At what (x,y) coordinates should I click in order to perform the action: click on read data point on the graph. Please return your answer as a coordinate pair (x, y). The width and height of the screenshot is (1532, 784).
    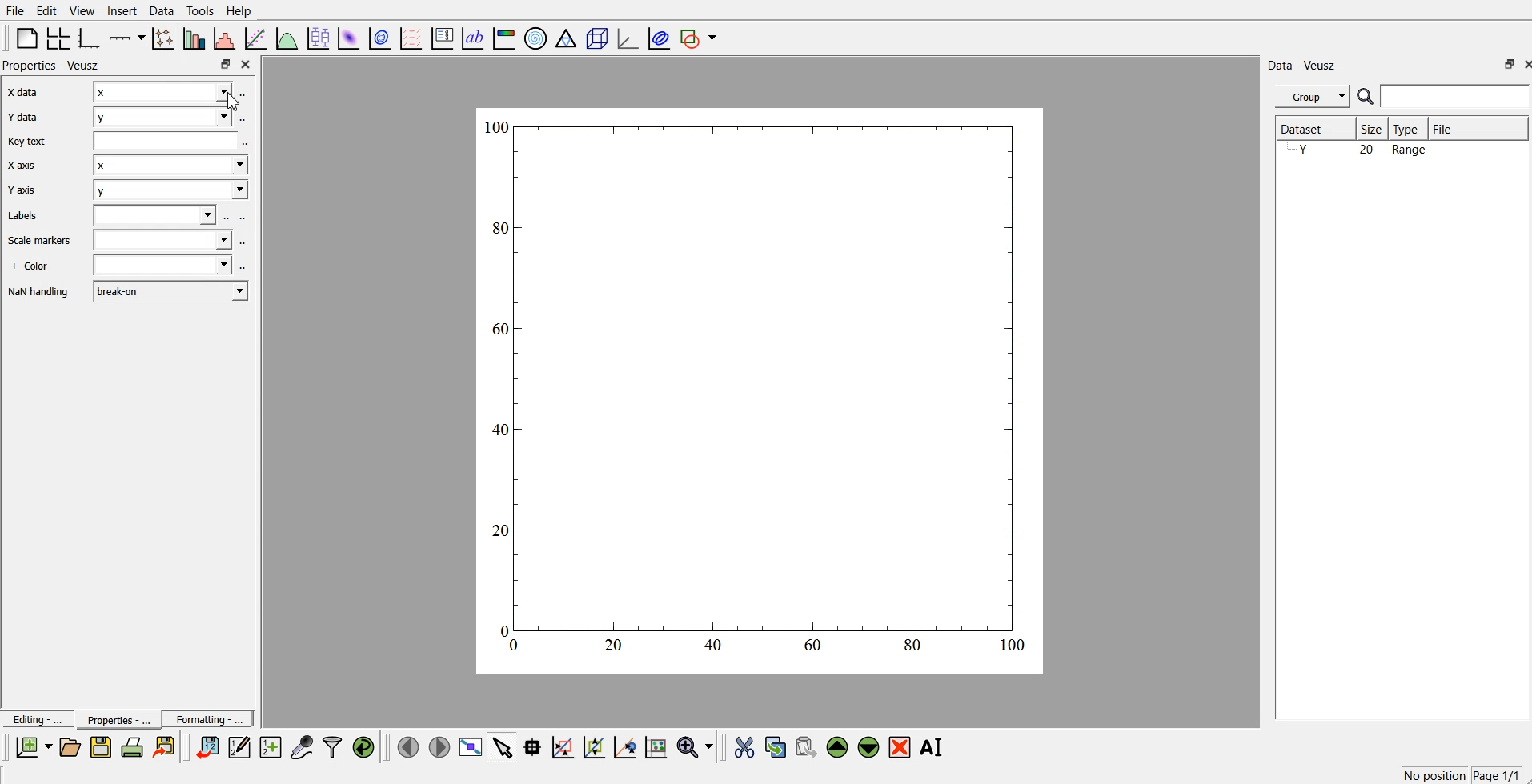
    Looking at the image, I should click on (534, 746).